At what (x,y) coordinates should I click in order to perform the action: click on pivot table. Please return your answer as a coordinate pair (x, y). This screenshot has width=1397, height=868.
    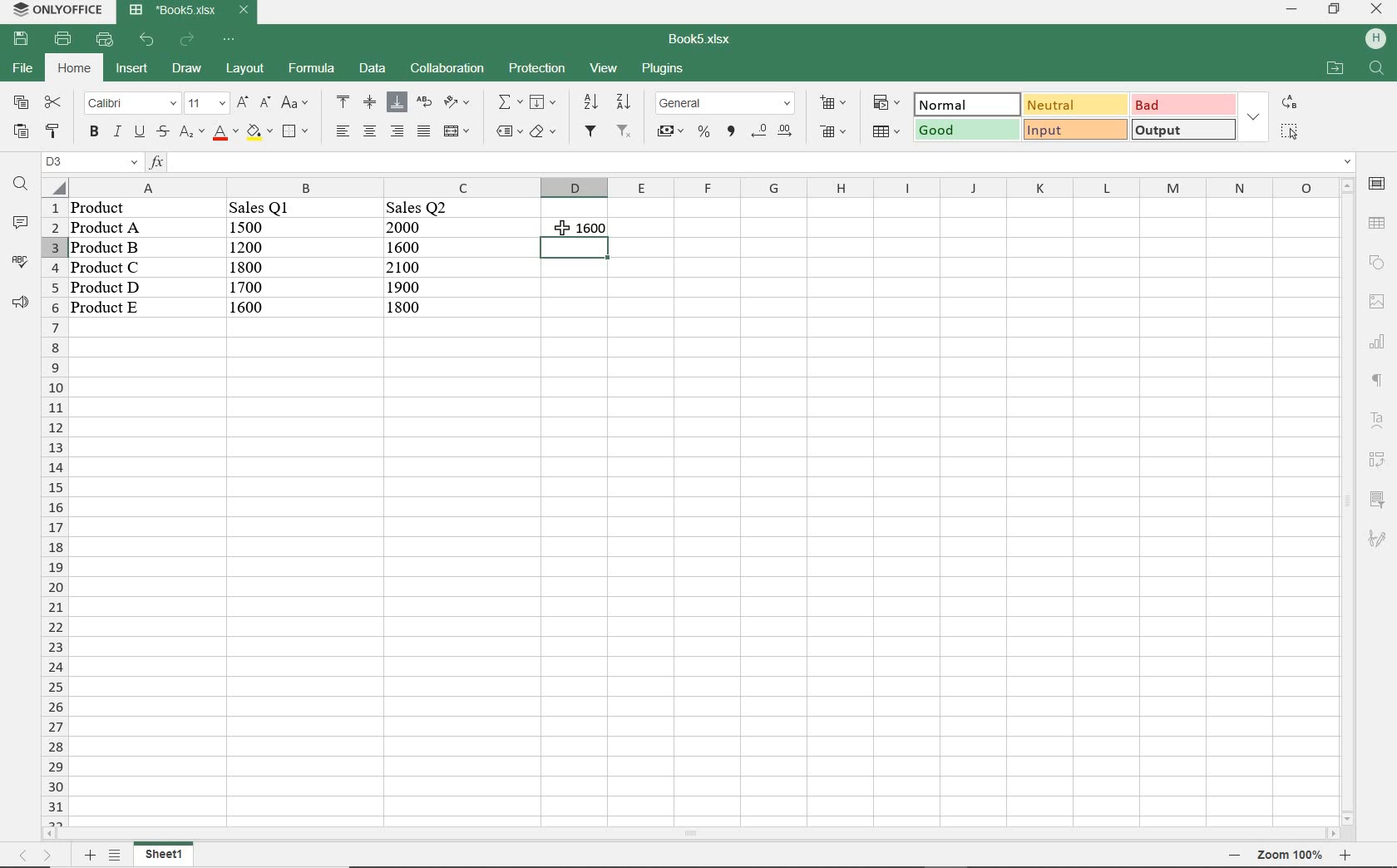
    Looking at the image, I should click on (1377, 461).